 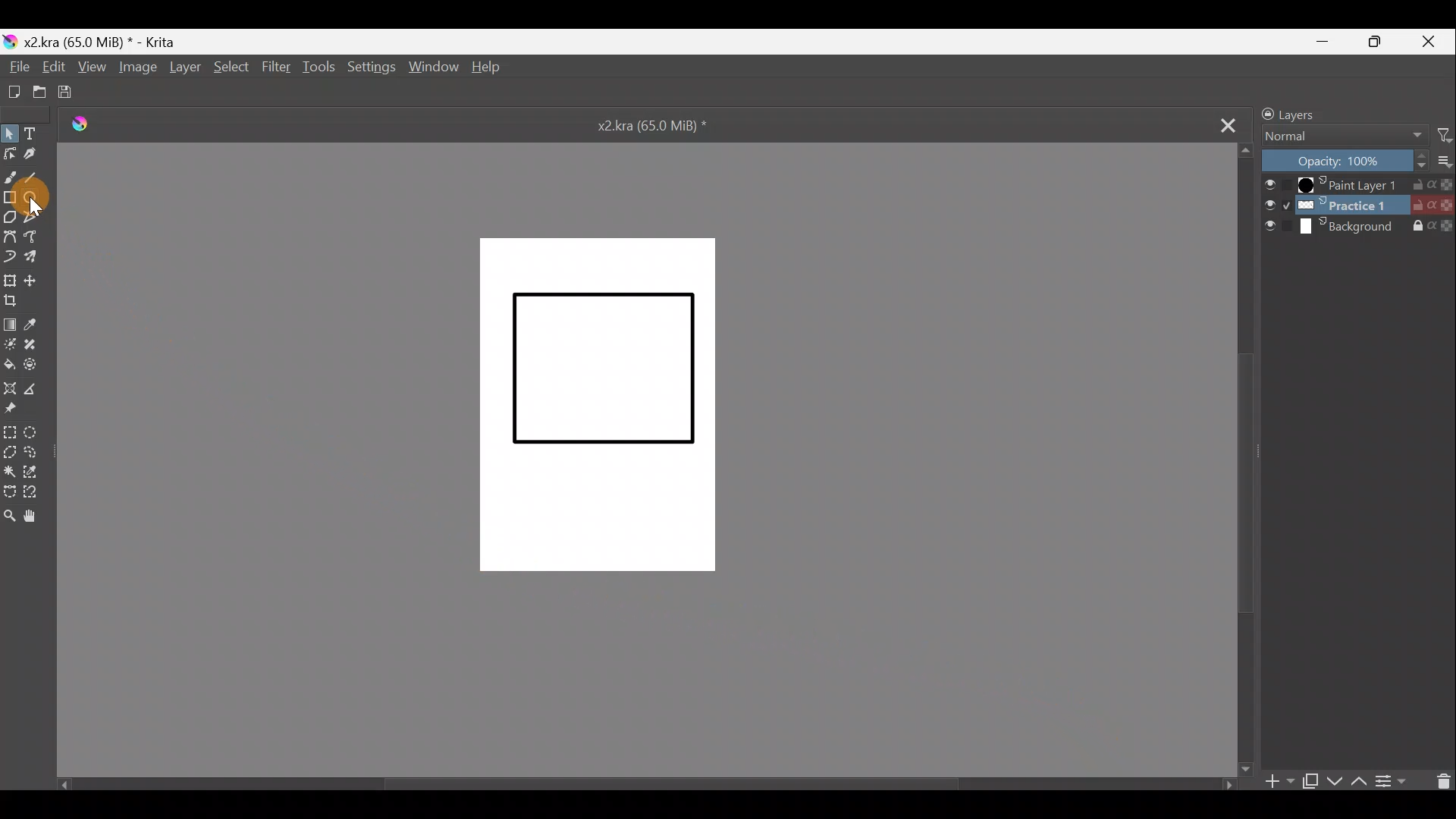 I want to click on Logo, so click(x=90, y=124).